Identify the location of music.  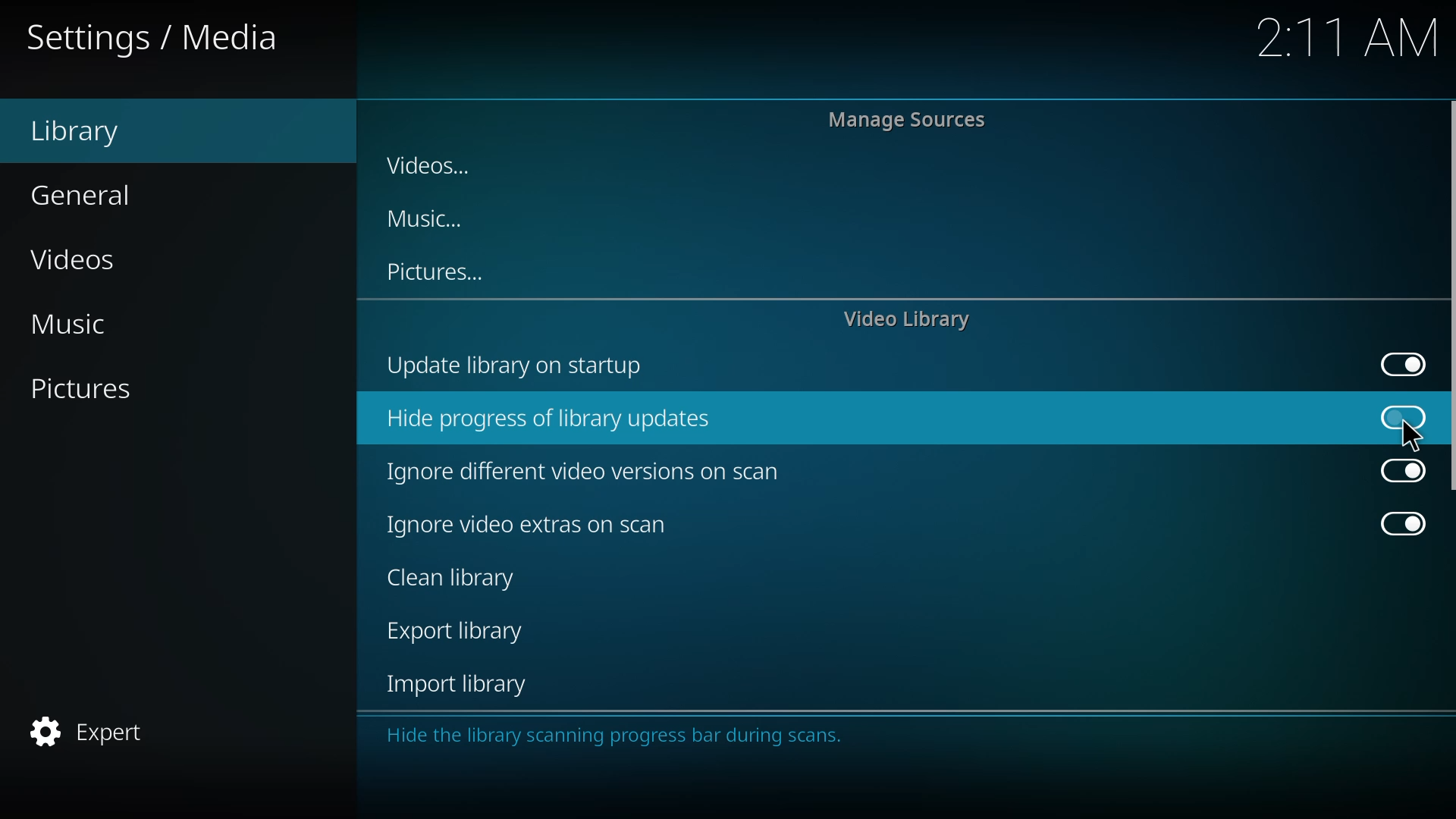
(425, 221).